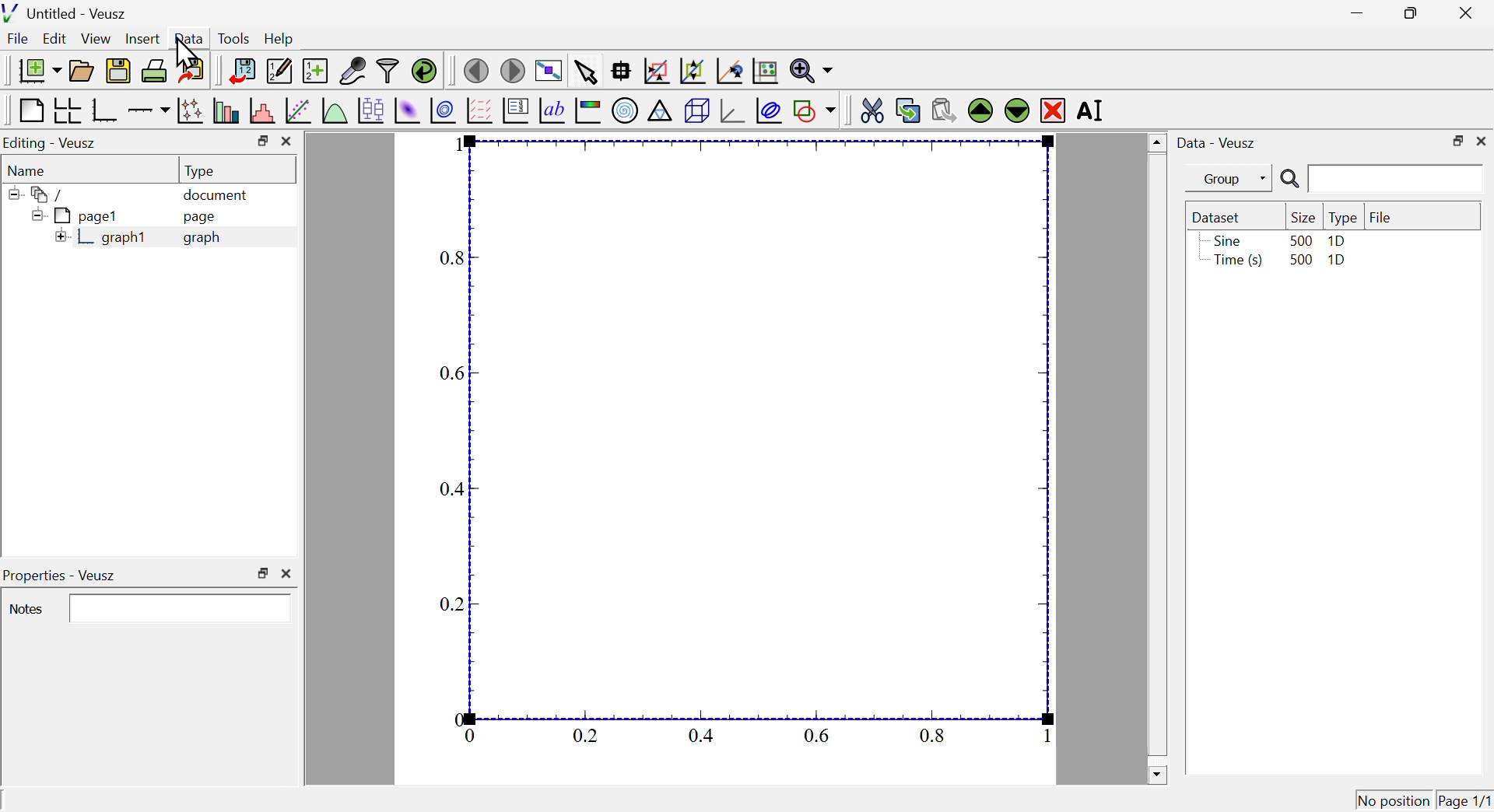 Image resolution: width=1494 pixels, height=812 pixels. What do you see at coordinates (697, 112) in the screenshot?
I see `3d scene` at bounding box center [697, 112].